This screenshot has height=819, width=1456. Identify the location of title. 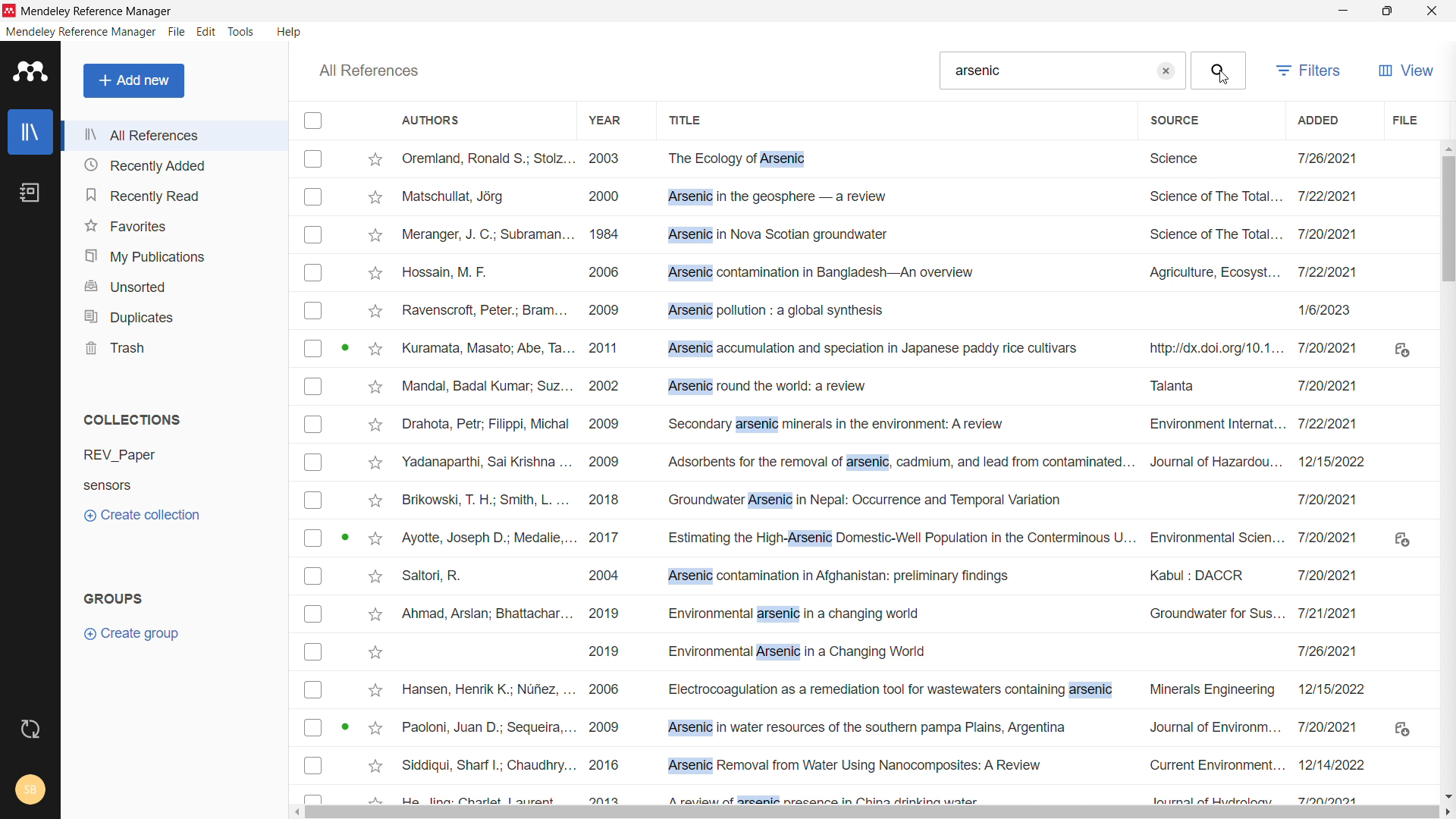
(896, 120).